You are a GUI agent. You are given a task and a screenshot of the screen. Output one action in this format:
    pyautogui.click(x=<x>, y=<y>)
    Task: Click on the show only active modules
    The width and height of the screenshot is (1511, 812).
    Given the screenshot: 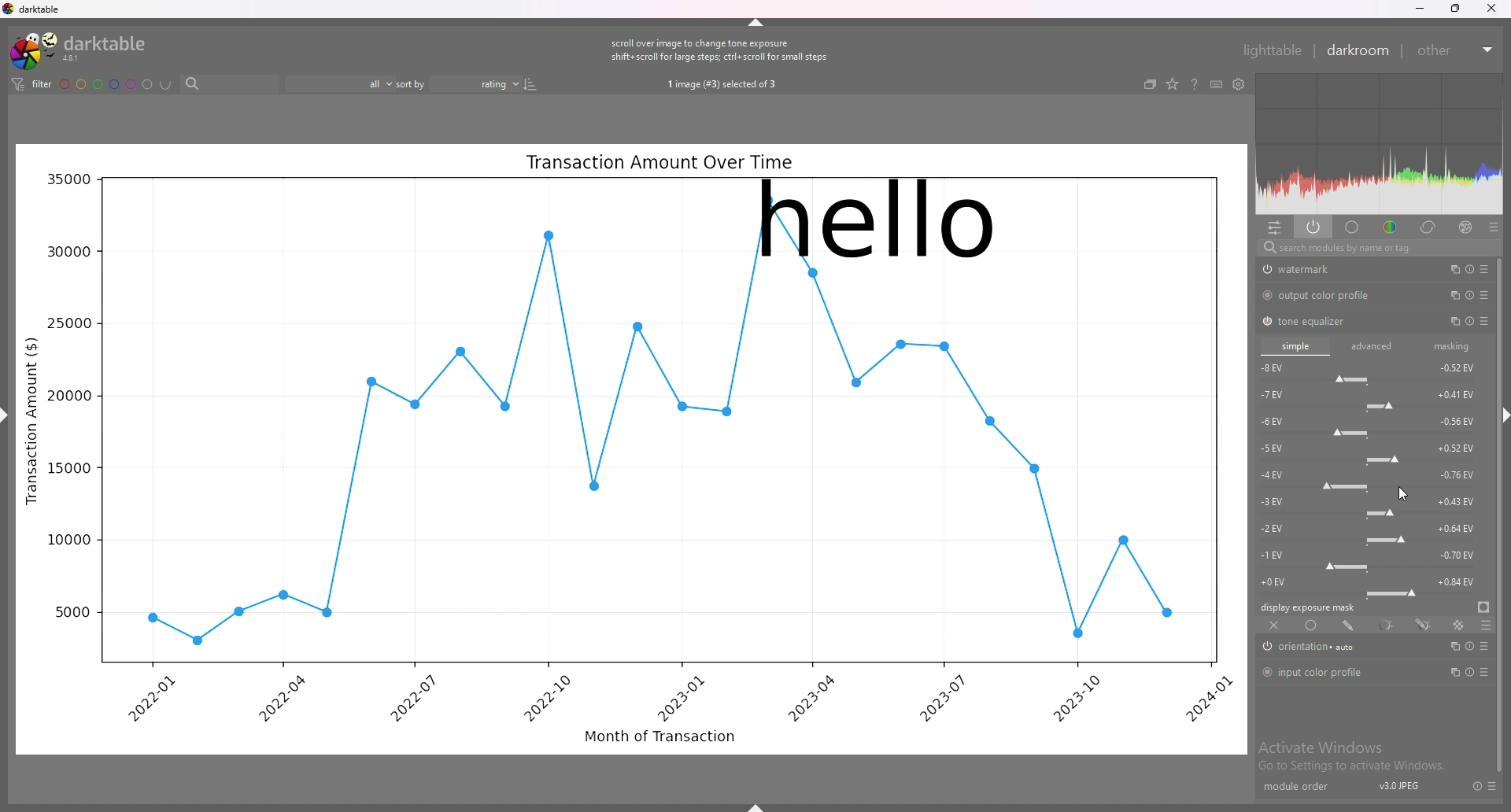 What is the action you would take?
    pyautogui.click(x=1314, y=228)
    